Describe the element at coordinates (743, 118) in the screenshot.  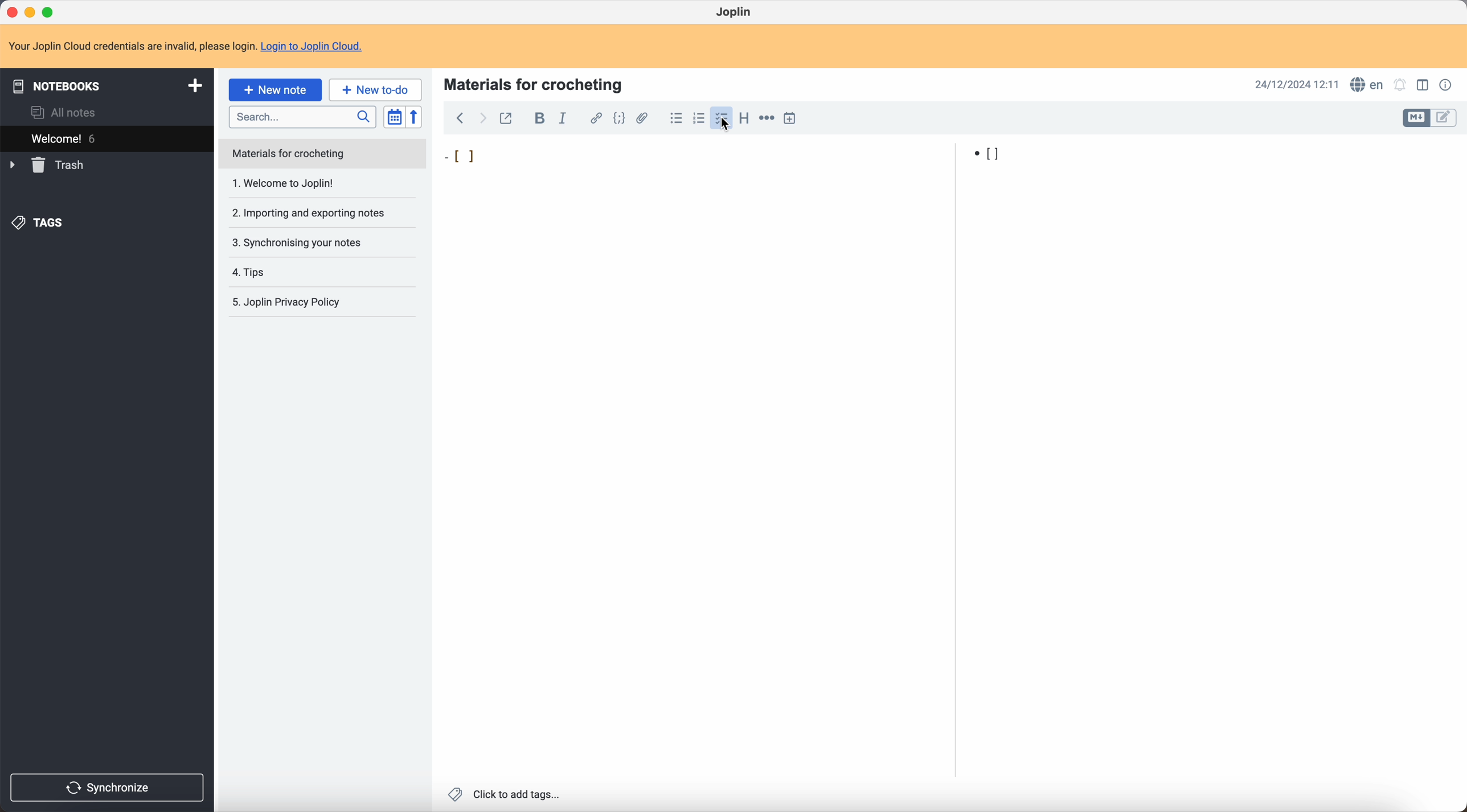
I see `heading` at that location.